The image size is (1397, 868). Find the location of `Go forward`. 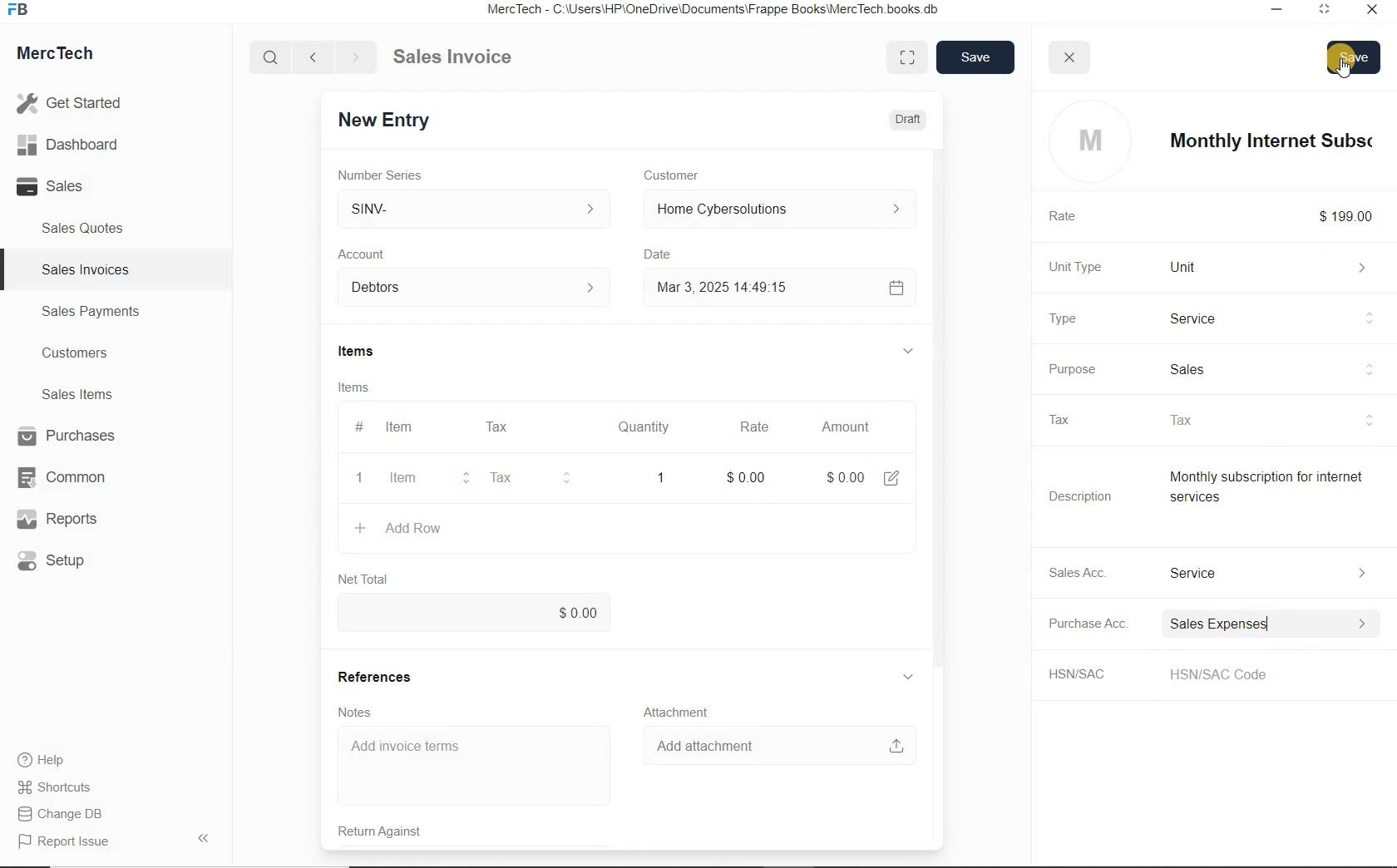

Go forward is located at coordinates (355, 57).